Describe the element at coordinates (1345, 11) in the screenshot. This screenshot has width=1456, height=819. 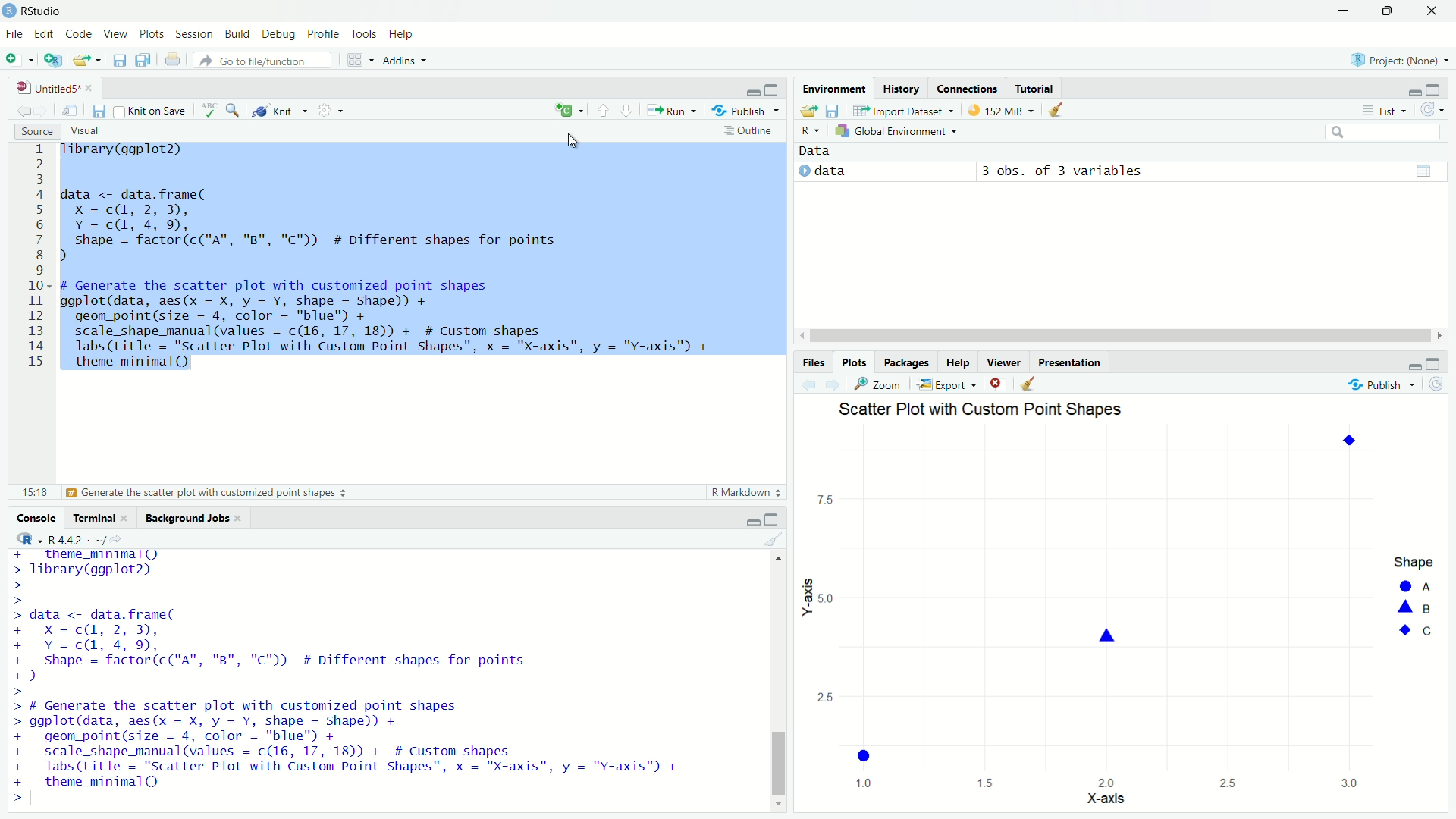
I see `minimize` at that location.